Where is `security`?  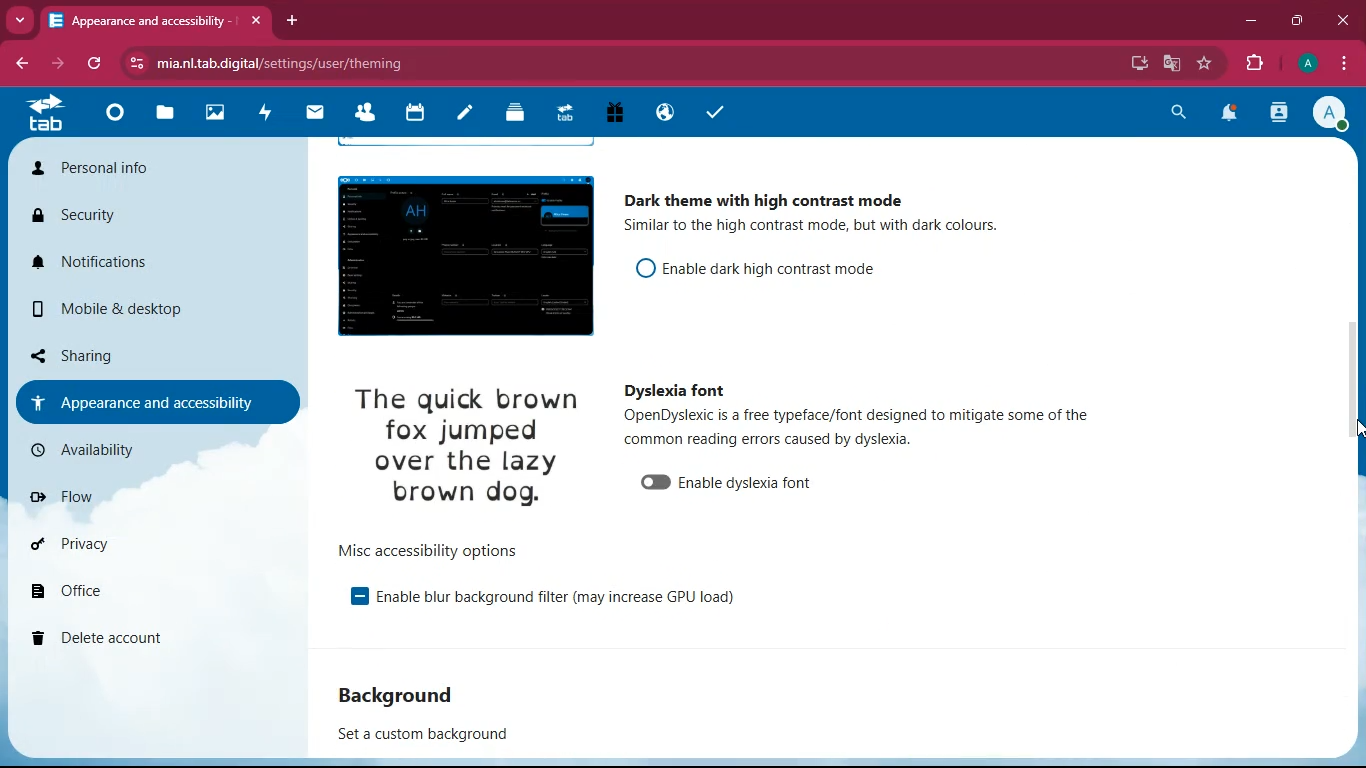
security is located at coordinates (131, 214).